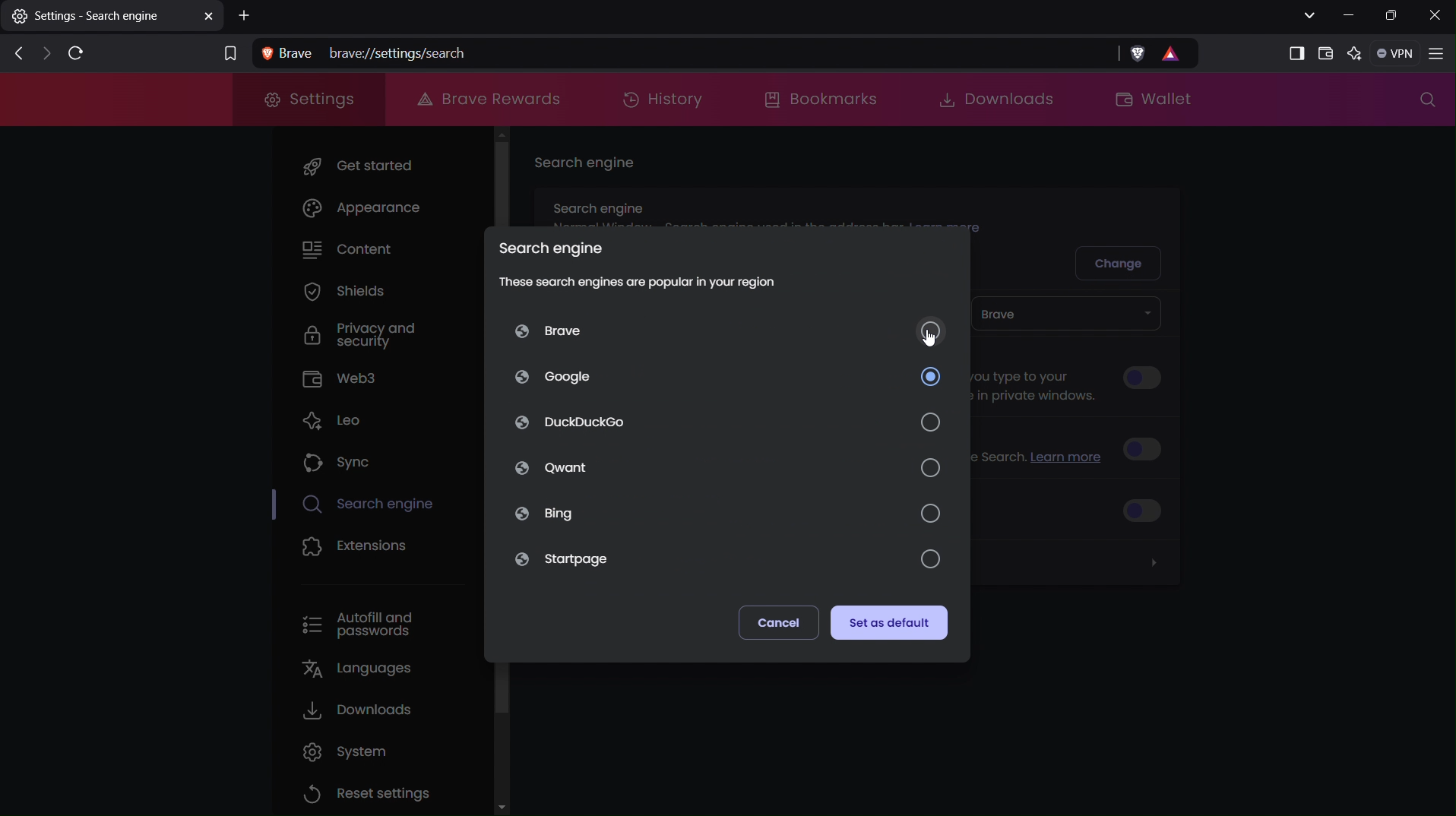 The width and height of the screenshot is (1456, 816). I want to click on Get Started, so click(385, 165).